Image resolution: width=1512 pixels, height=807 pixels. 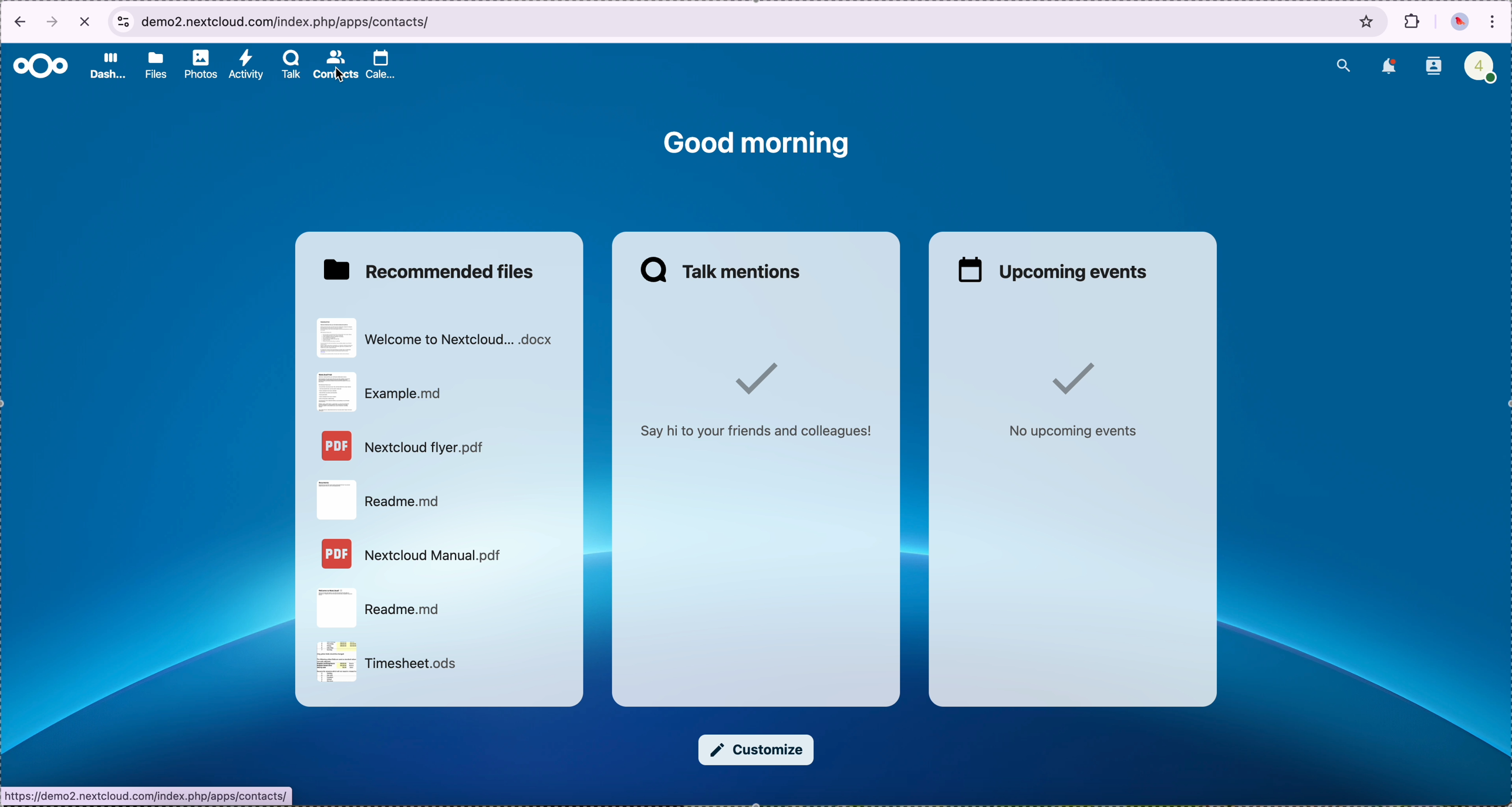 I want to click on upcoming events, so click(x=1055, y=271).